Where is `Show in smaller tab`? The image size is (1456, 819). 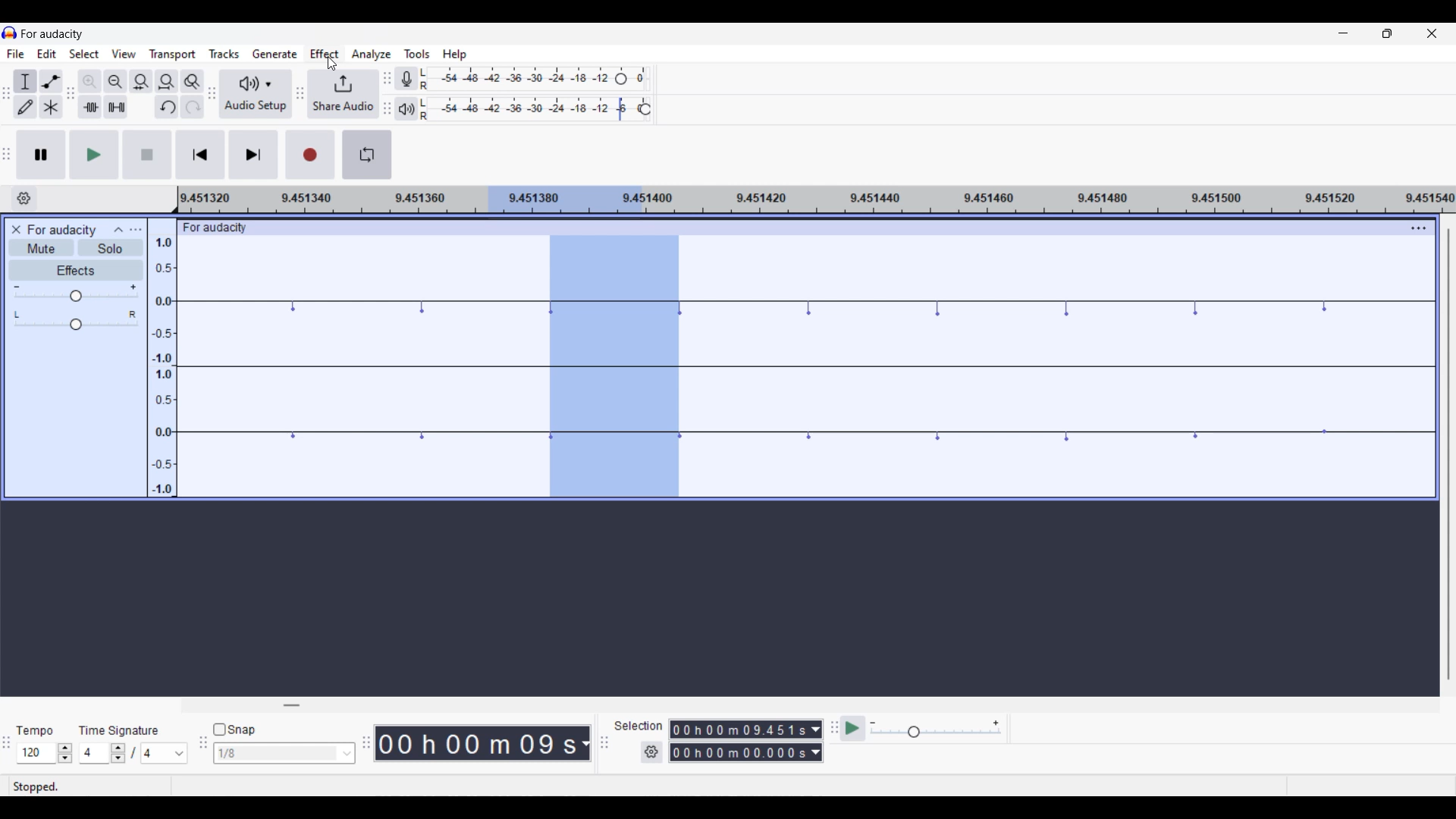
Show in smaller tab is located at coordinates (1387, 33).